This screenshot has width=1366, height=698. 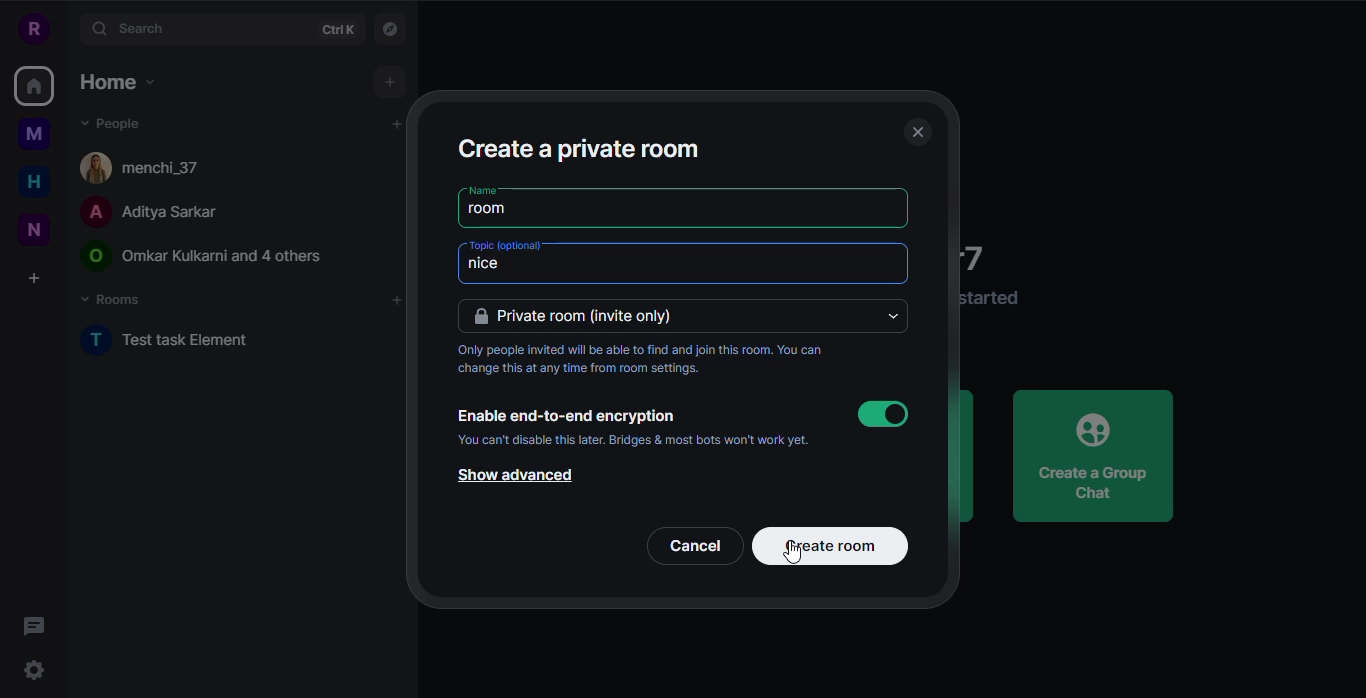 I want to click on profile, so click(x=32, y=27).